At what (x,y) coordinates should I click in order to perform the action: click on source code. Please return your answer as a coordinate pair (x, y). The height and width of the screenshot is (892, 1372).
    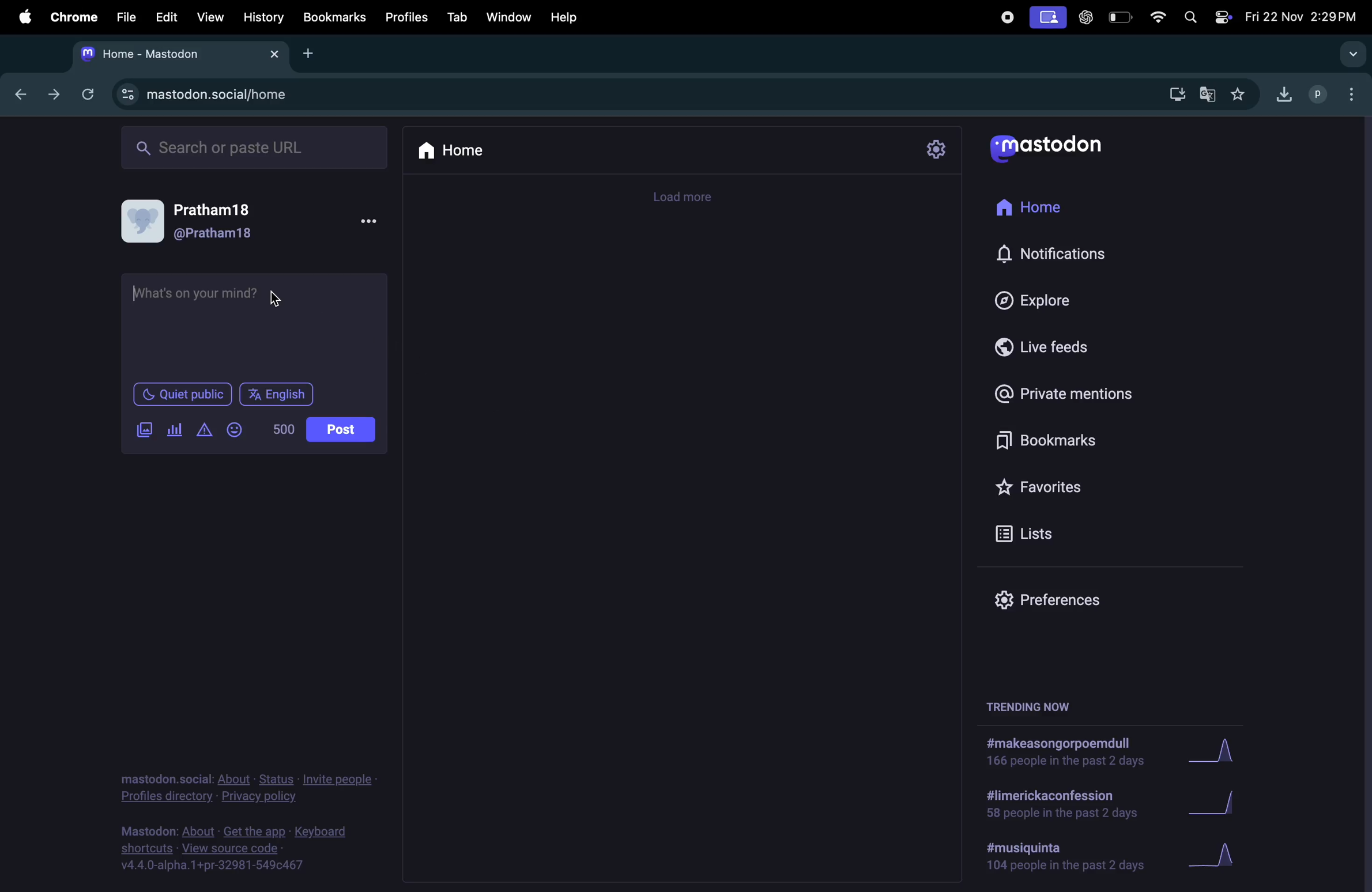
    Looking at the image, I should click on (238, 850).